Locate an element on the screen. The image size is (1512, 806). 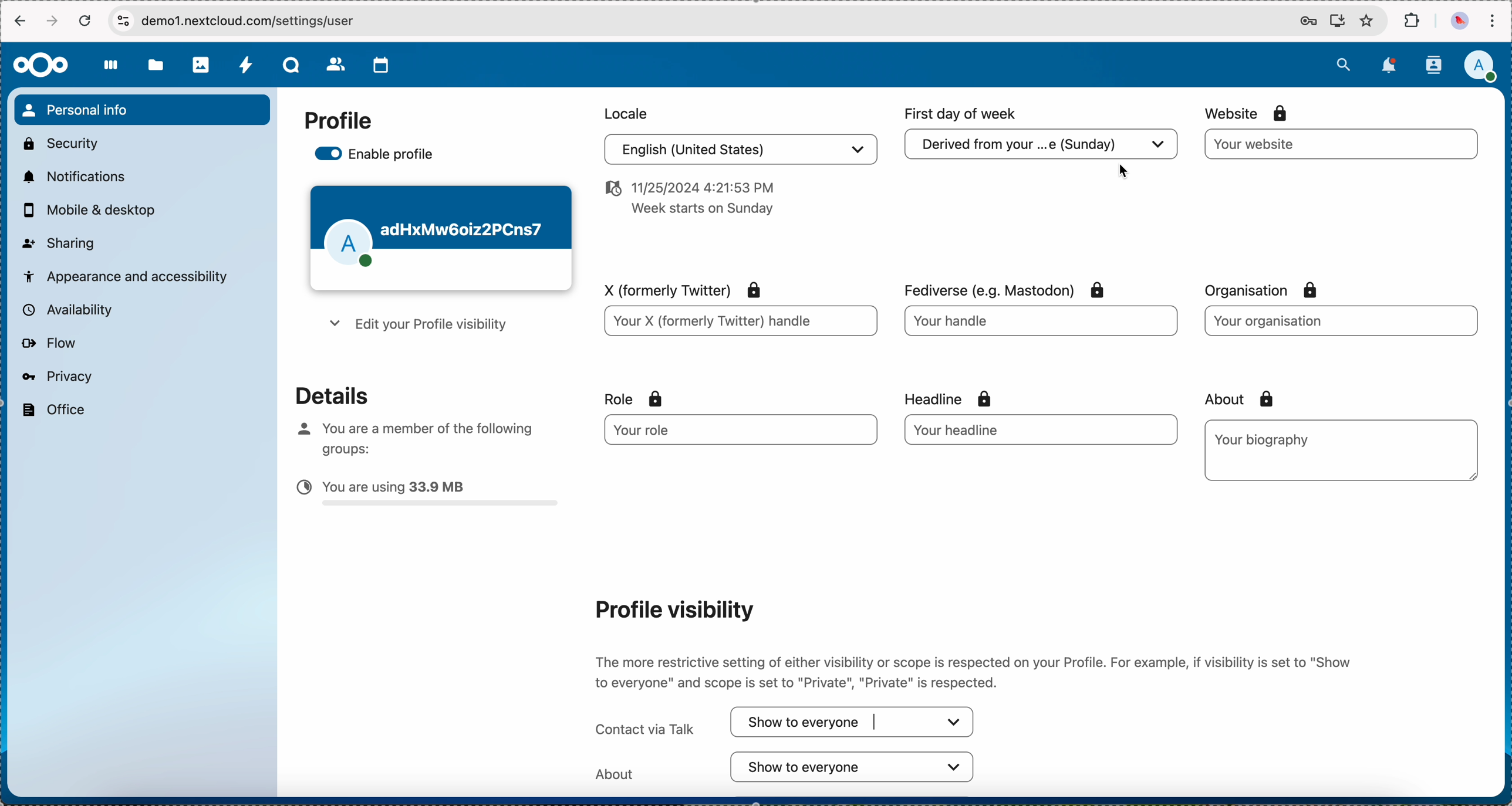
profile picture is located at coordinates (1458, 22).